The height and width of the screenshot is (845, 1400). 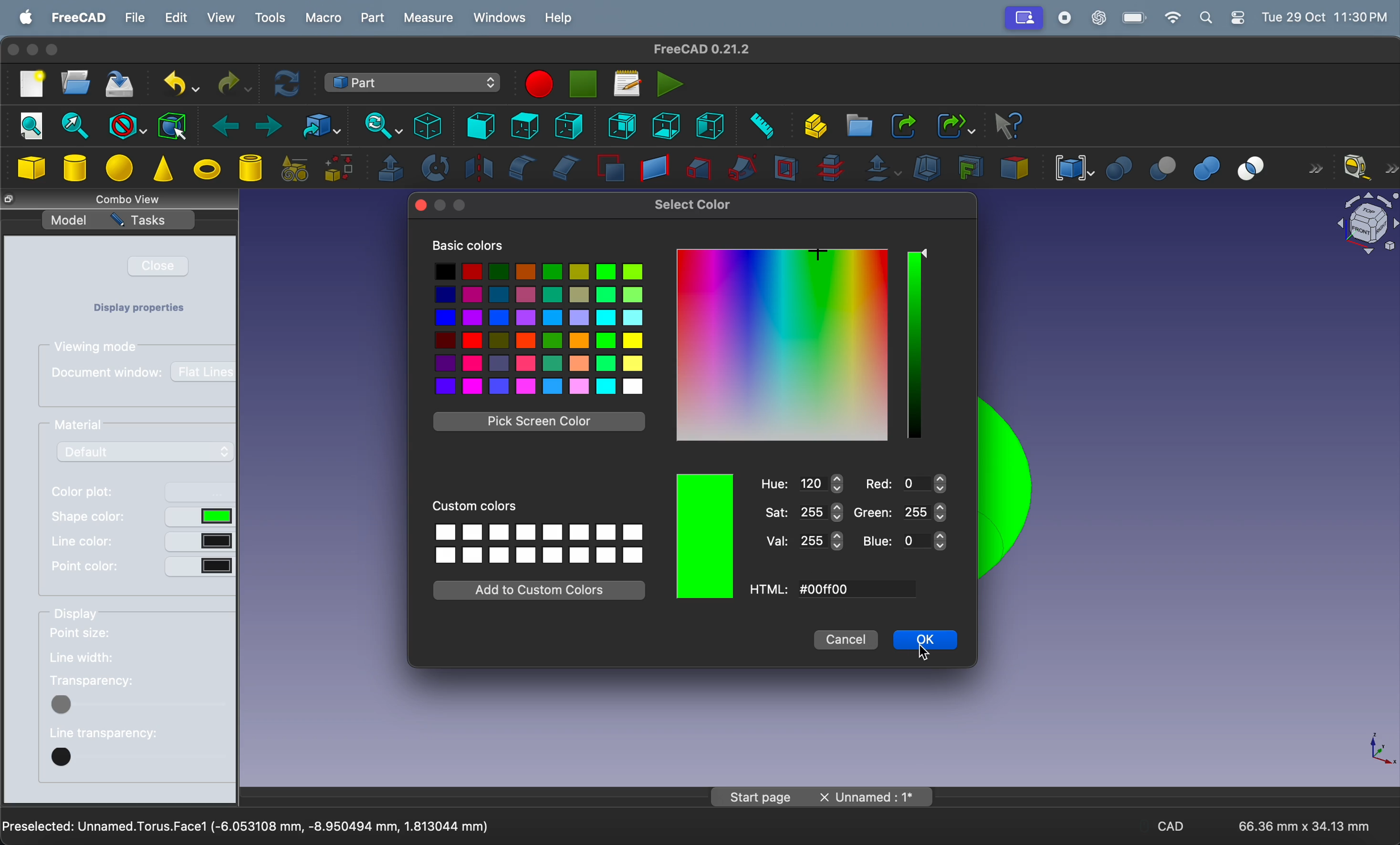 I want to click on battery, so click(x=1134, y=18).